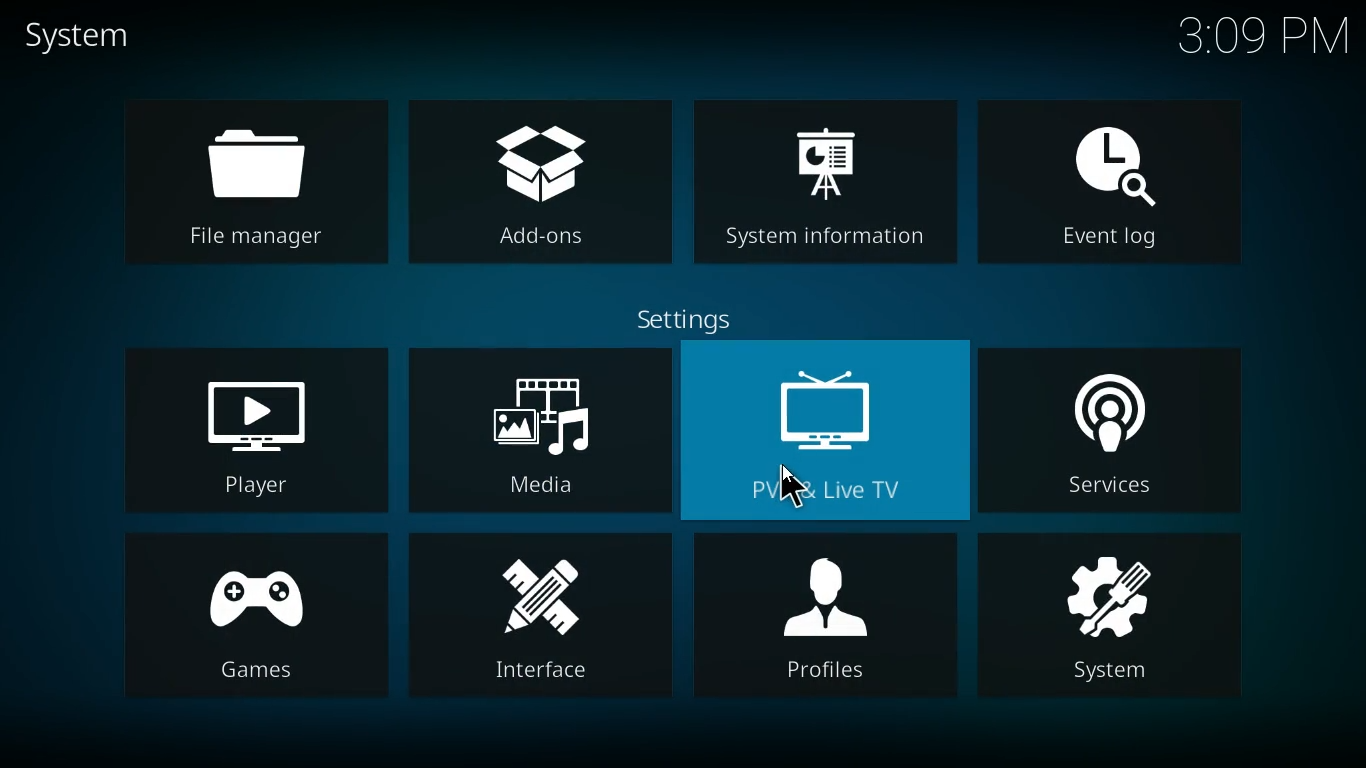 This screenshot has height=768, width=1366. Describe the element at coordinates (1118, 186) in the screenshot. I see `event log` at that location.